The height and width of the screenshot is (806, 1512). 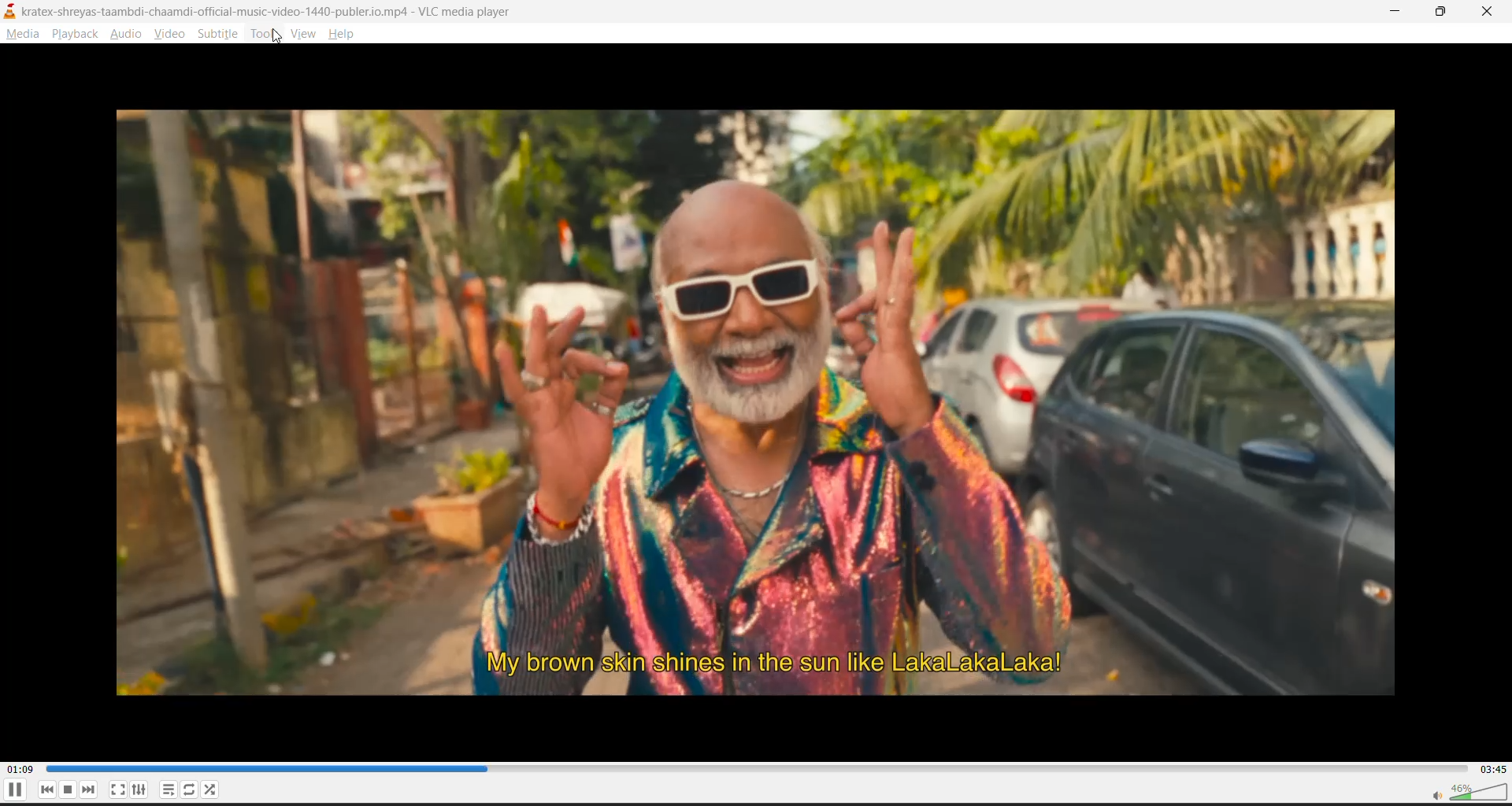 What do you see at coordinates (305, 35) in the screenshot?
I see `view` at bounding box center [305, 35].